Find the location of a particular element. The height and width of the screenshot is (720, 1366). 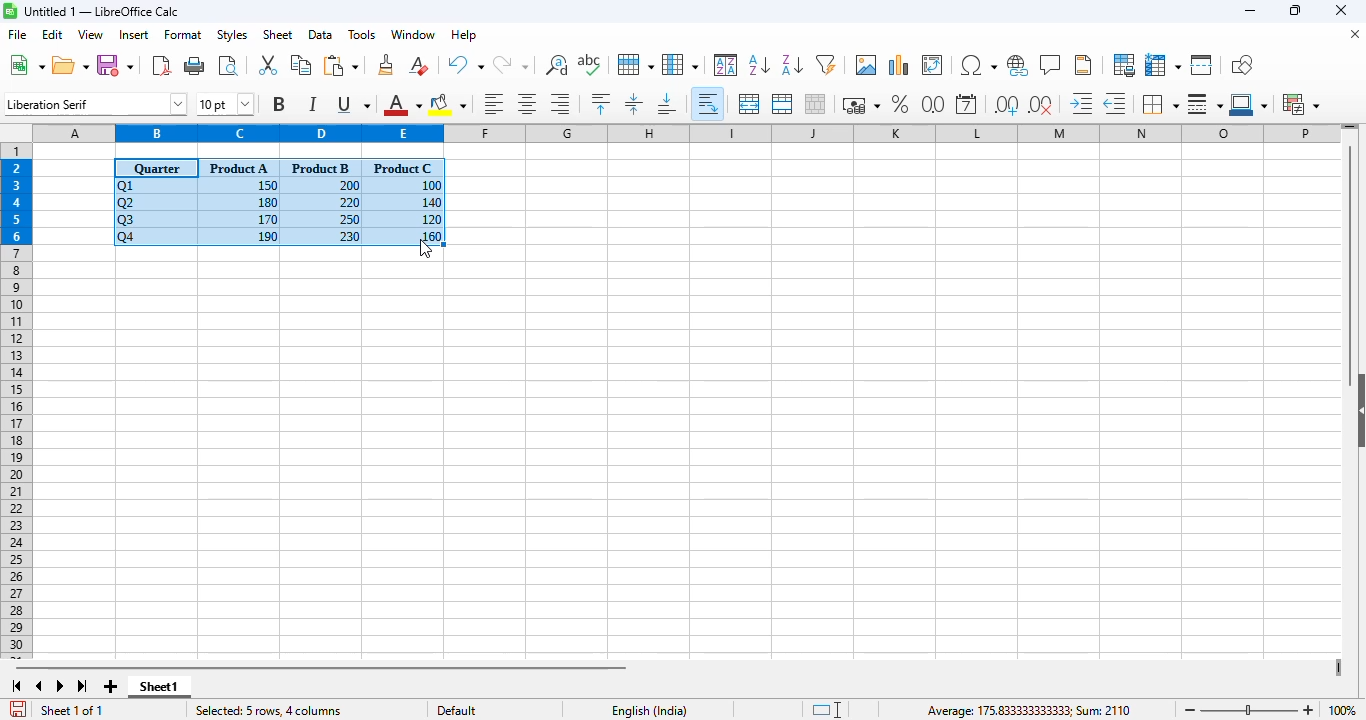

format is located at coordinates (183, 35).